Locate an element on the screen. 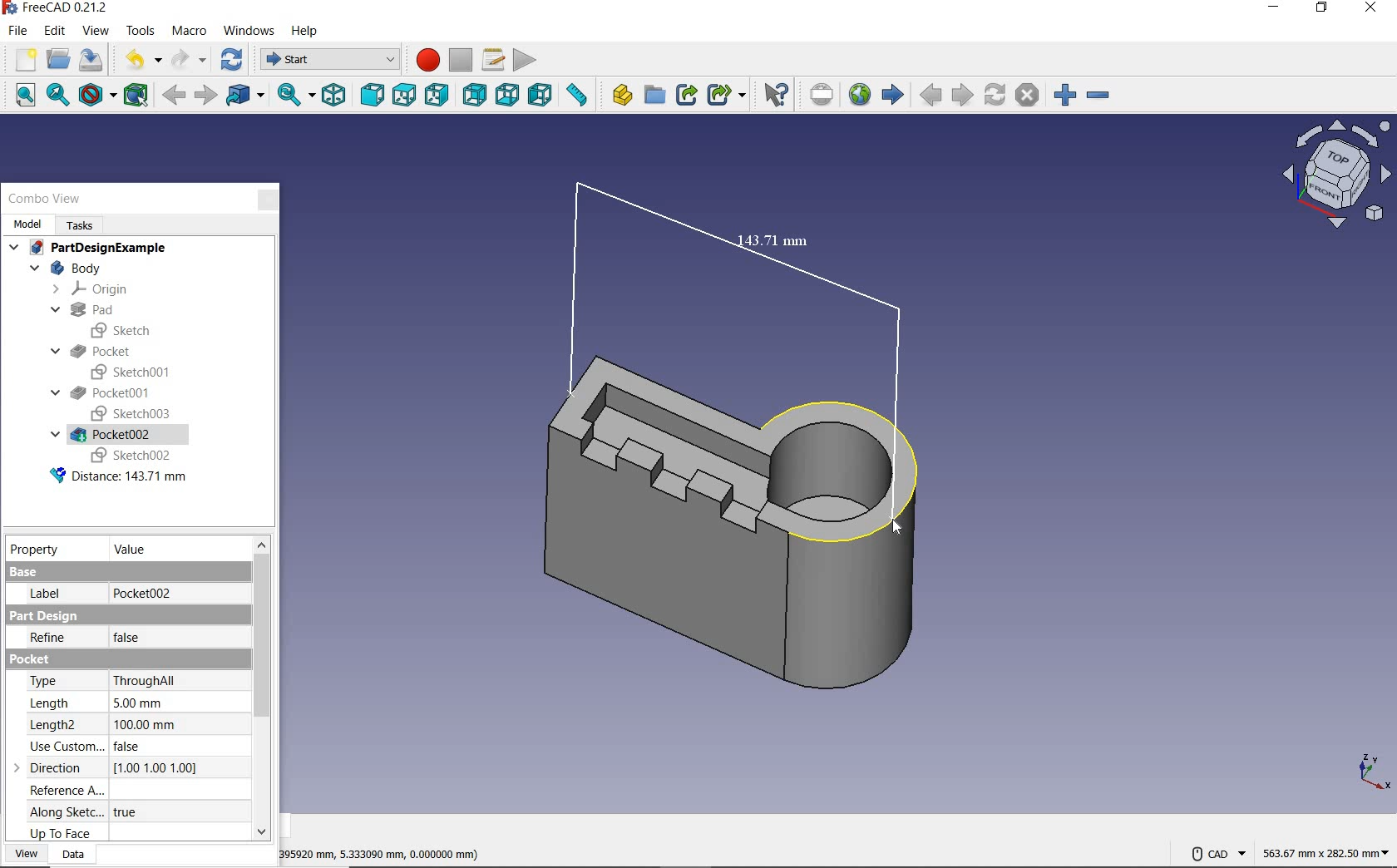 This screenshot has width=1397, height=868. front is located at coordinates (372, 96).